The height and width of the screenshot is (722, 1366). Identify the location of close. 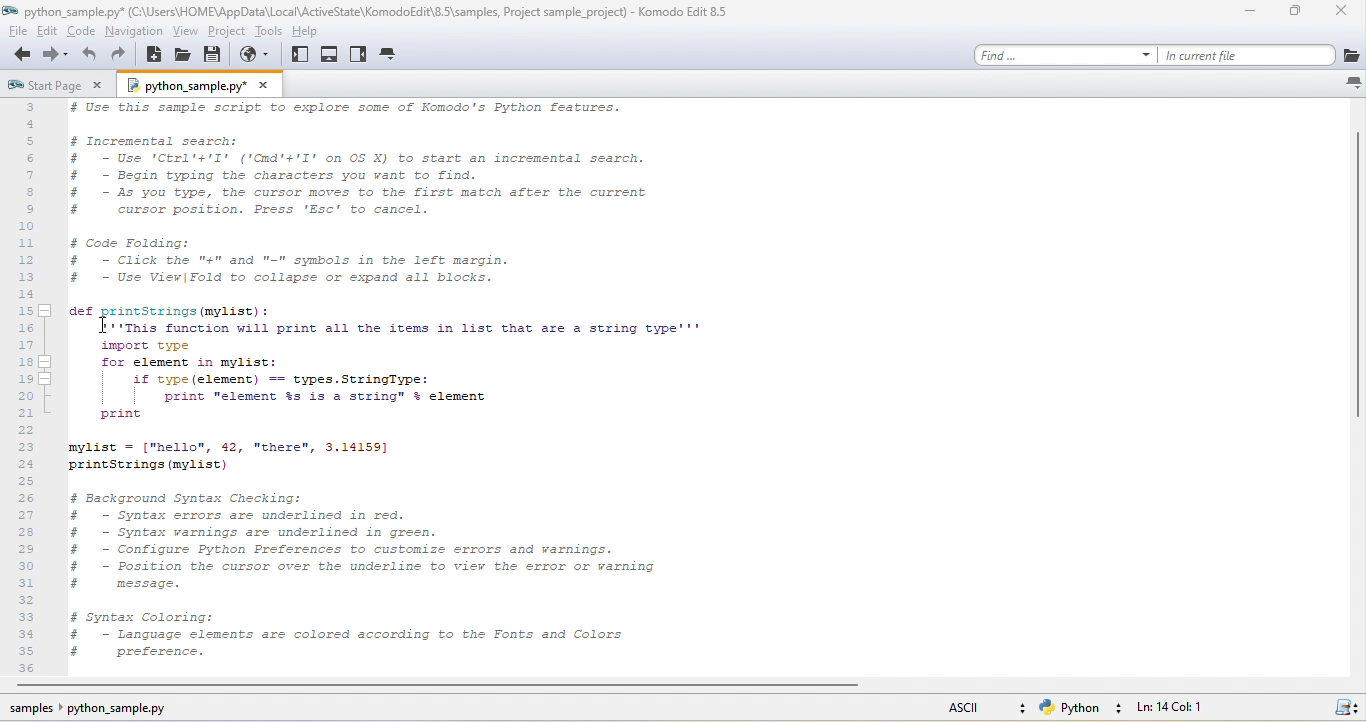
(264, 85).